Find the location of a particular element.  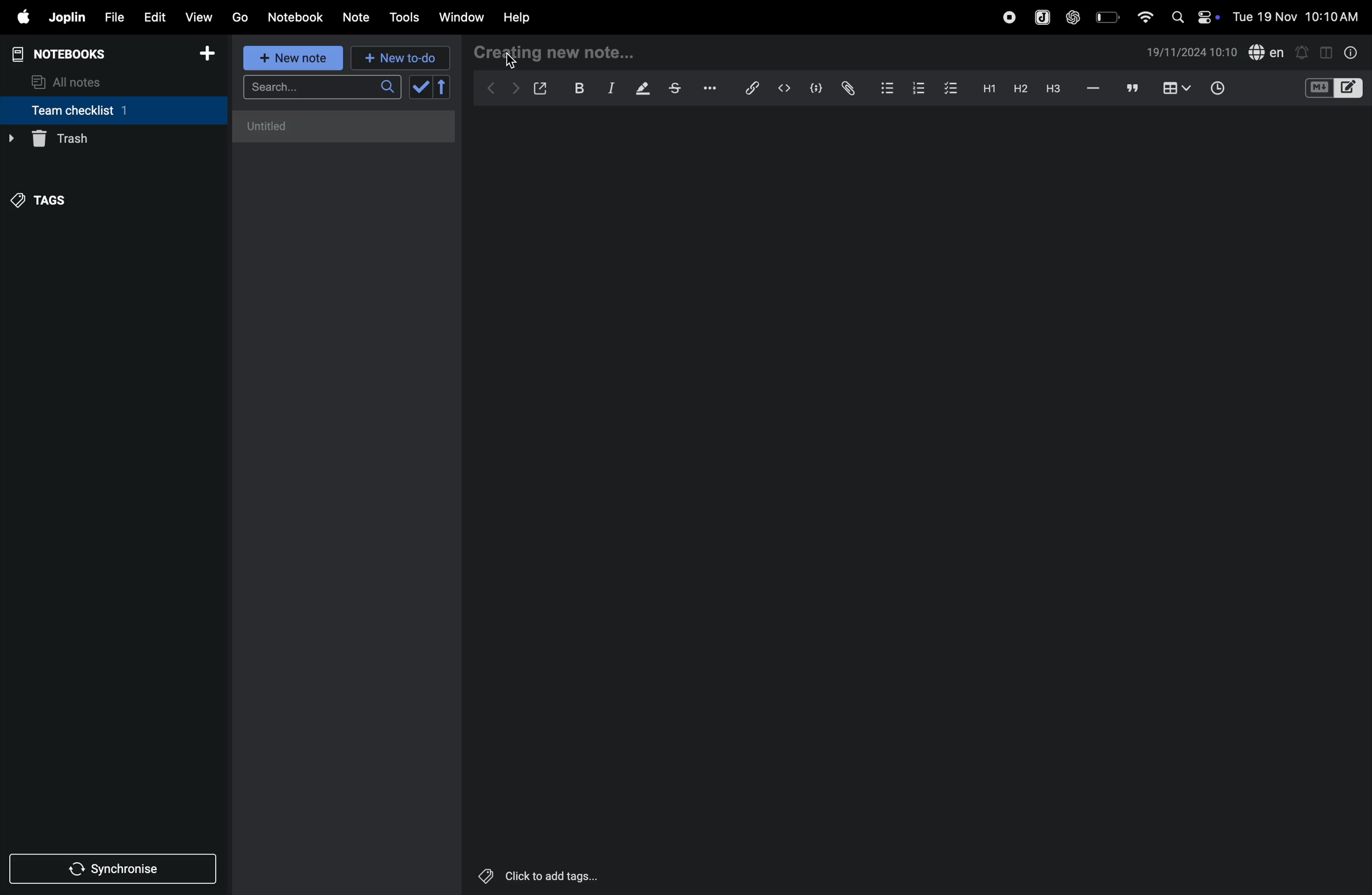

search  is located at coordinates (320, 89).